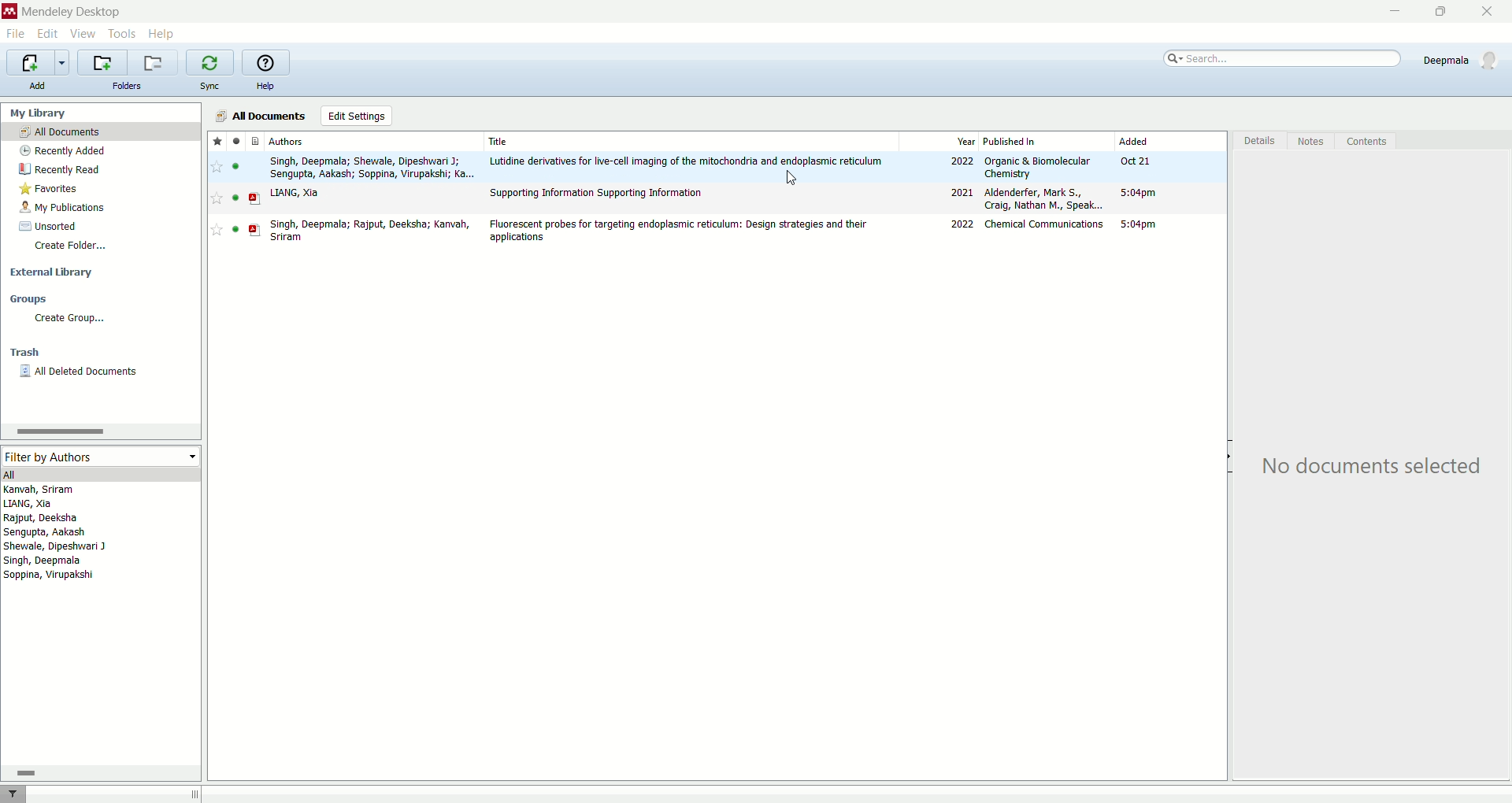  Describe the element at coordinates (46, 35) in the screenshot. I see `edit` at that location.